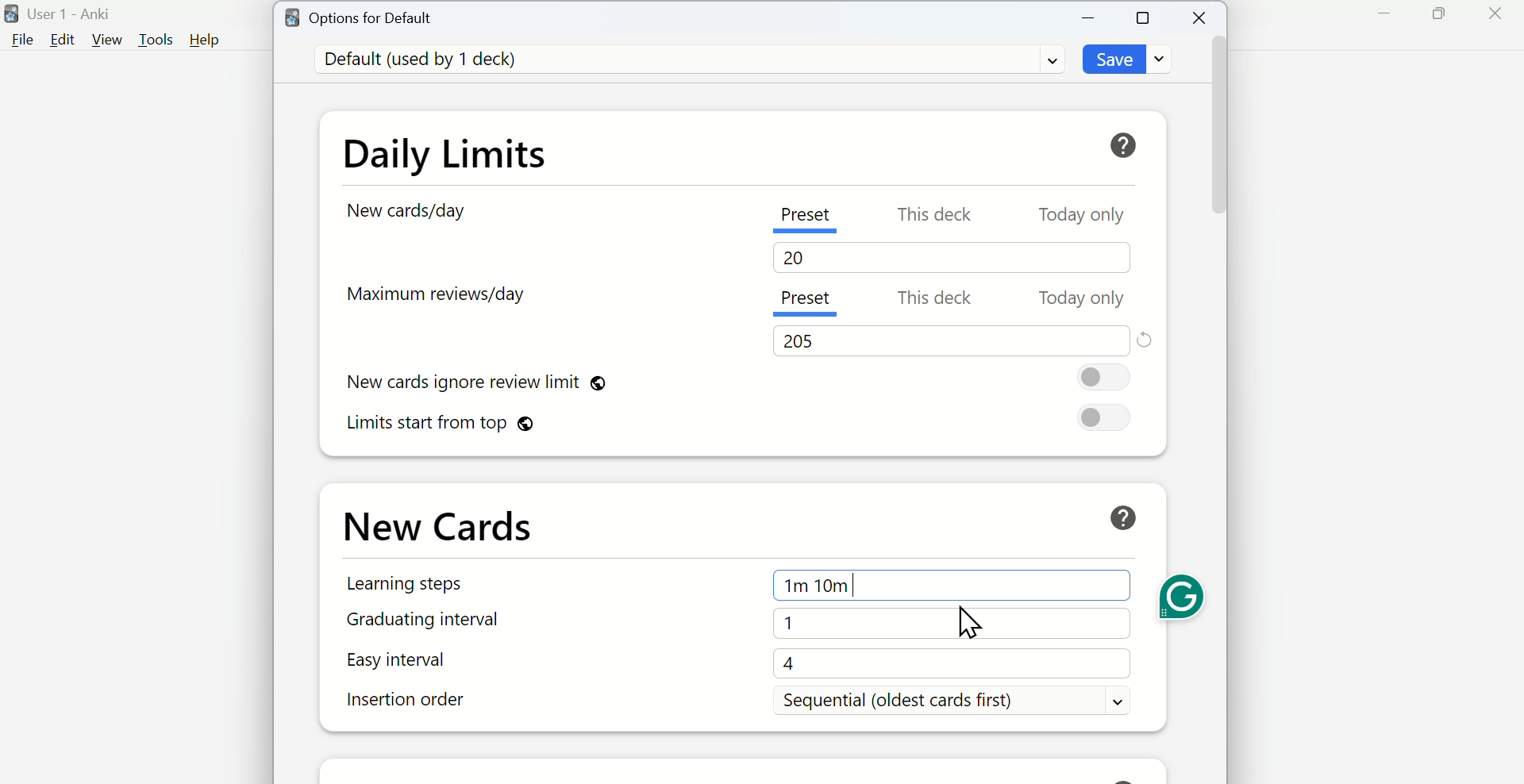 The height and width of the screenshot is (784, 1524). I want to click on Tools, so click(155, 40).